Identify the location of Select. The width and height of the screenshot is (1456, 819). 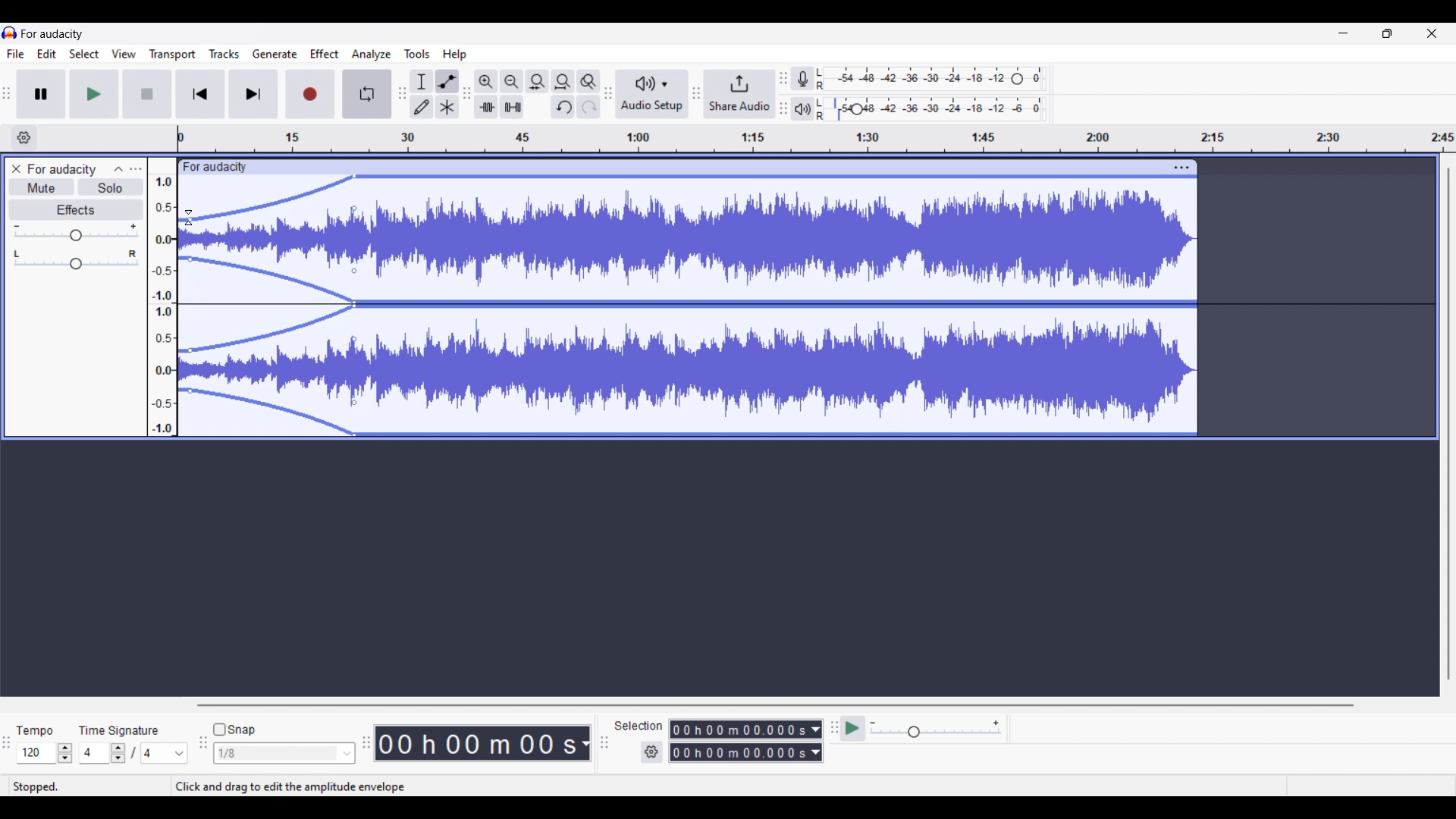
(84, 54).